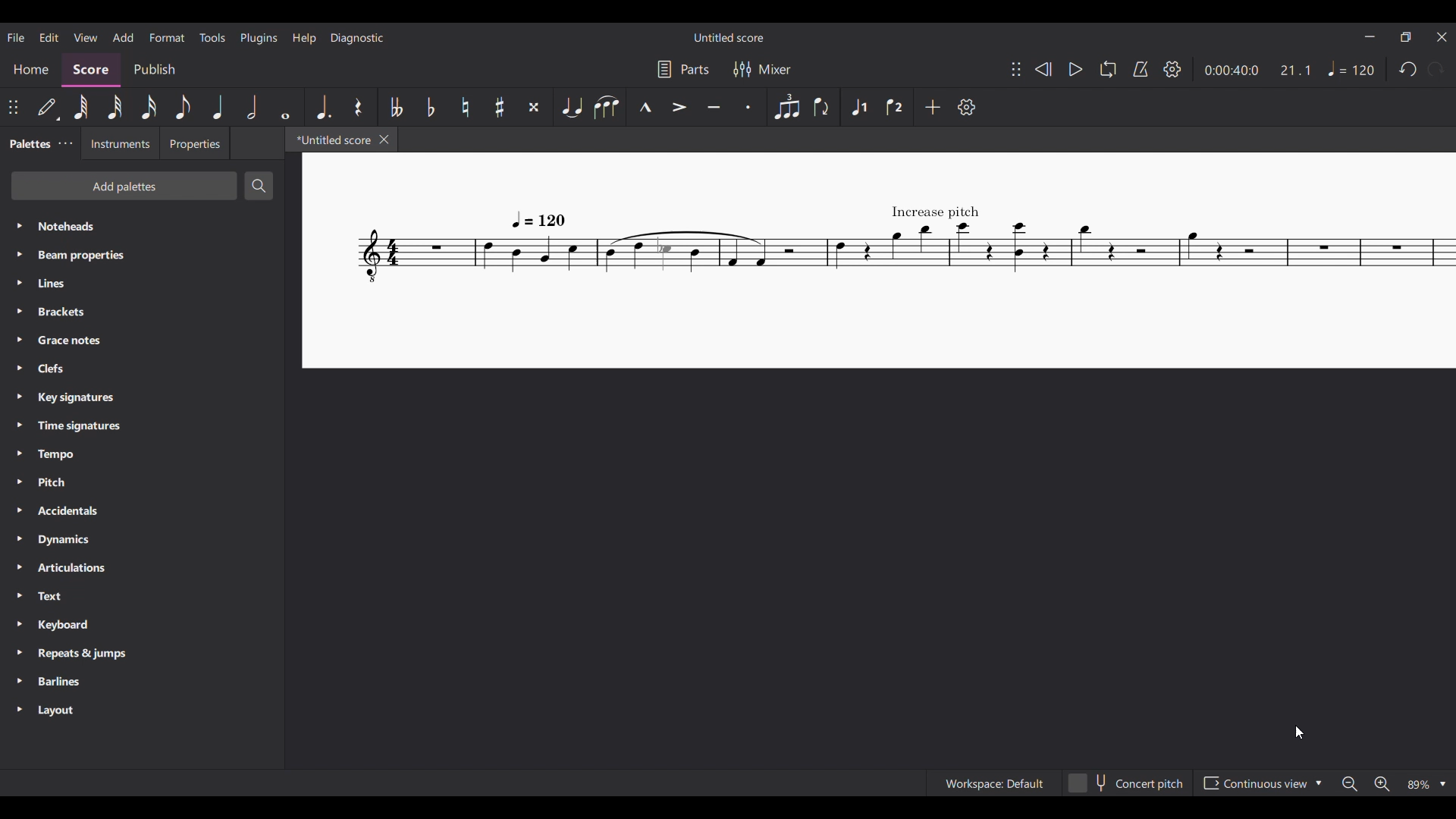 This screenshot has height=819, width=1456. Describe the element at coordinates (320, 107) in the screenshot. I see `Augmentation dot` at that location.